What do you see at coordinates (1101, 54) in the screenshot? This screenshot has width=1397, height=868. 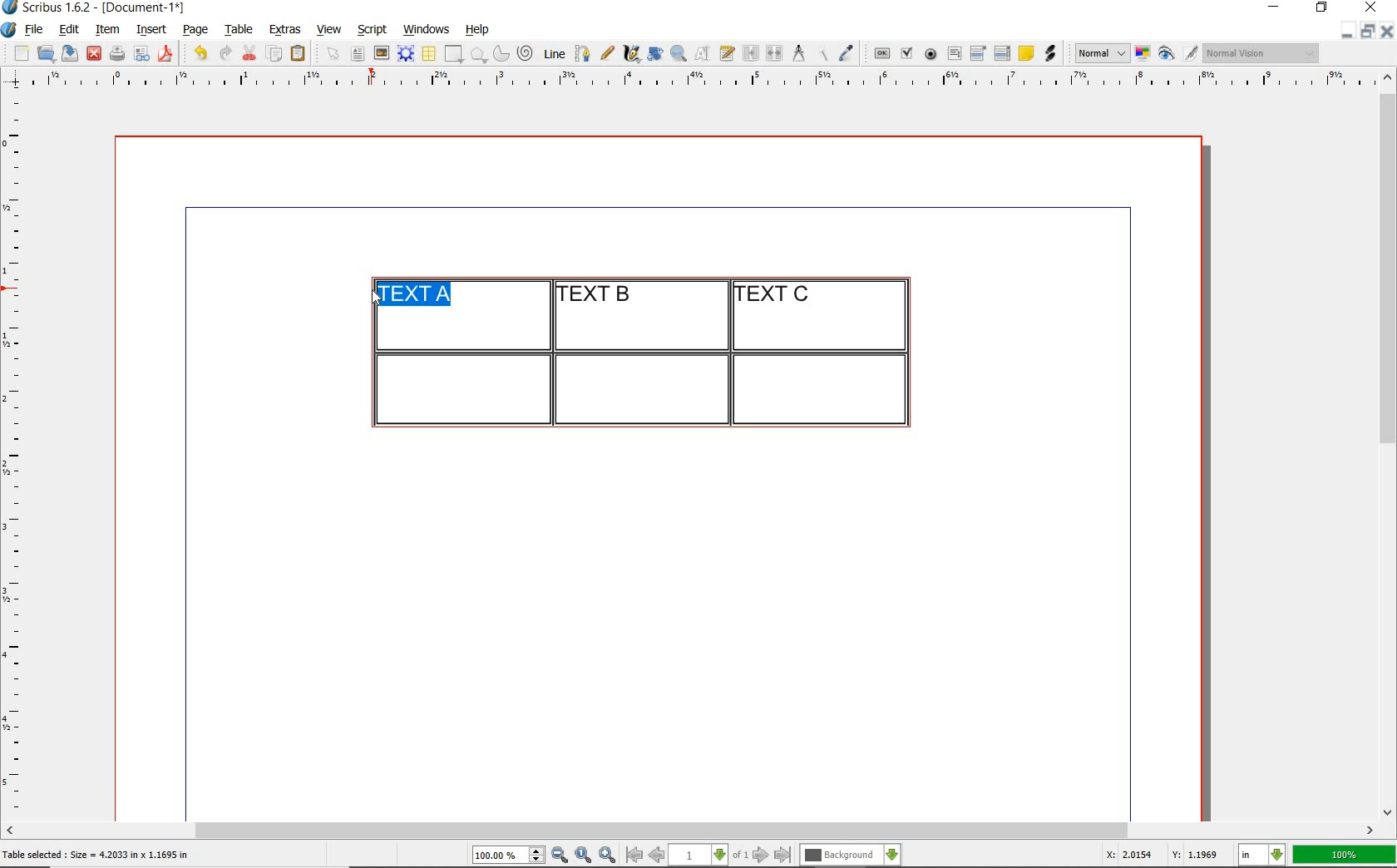 I see `select image preview mode` at bounding box center [1101, 54].